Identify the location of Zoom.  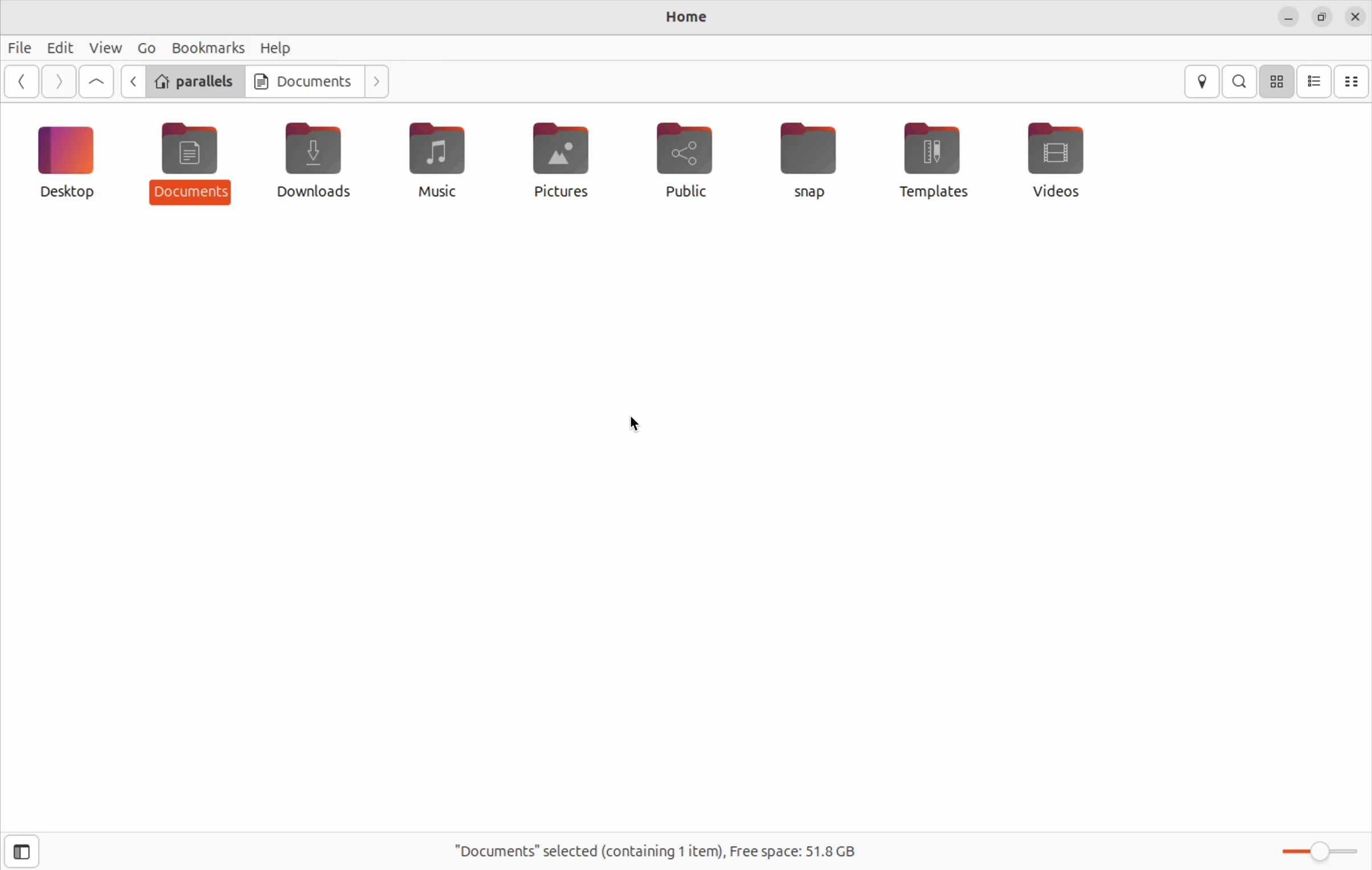
(1321, 851).